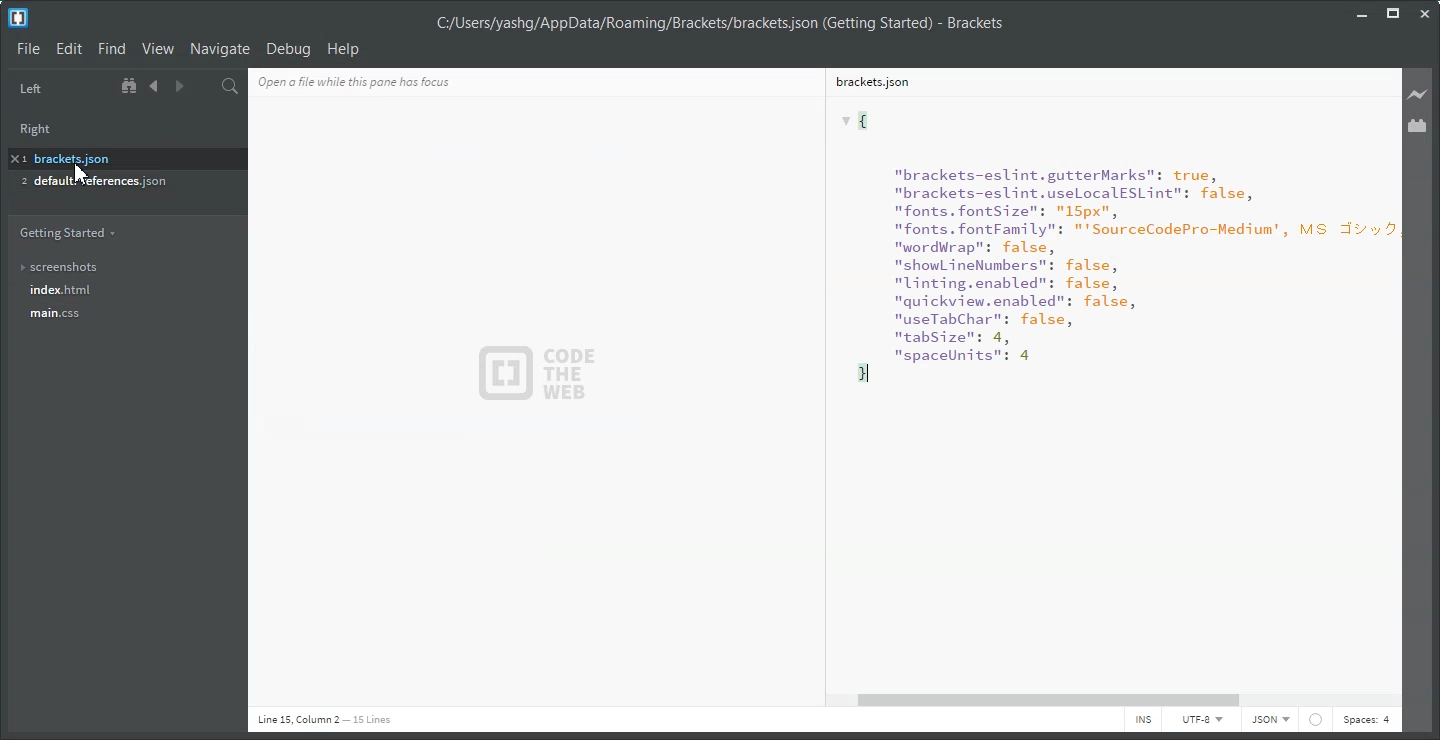 The width and height of the screenshot is (1440, 740). Describe the element at coordinates (70, 49) in the screenshot. I see `Edit` at that location.